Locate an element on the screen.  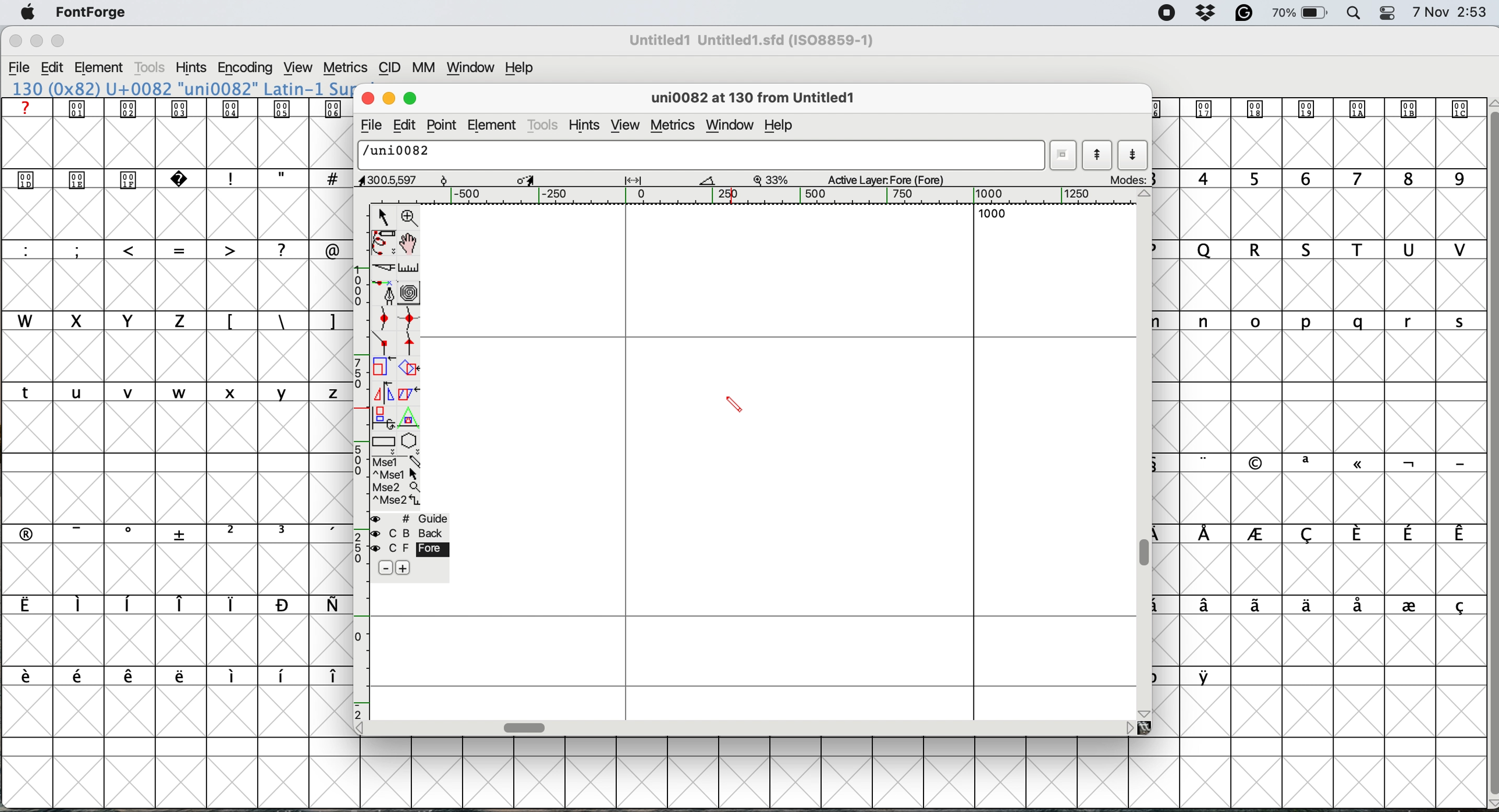
grammarly is located at coordinates (1244, 13).